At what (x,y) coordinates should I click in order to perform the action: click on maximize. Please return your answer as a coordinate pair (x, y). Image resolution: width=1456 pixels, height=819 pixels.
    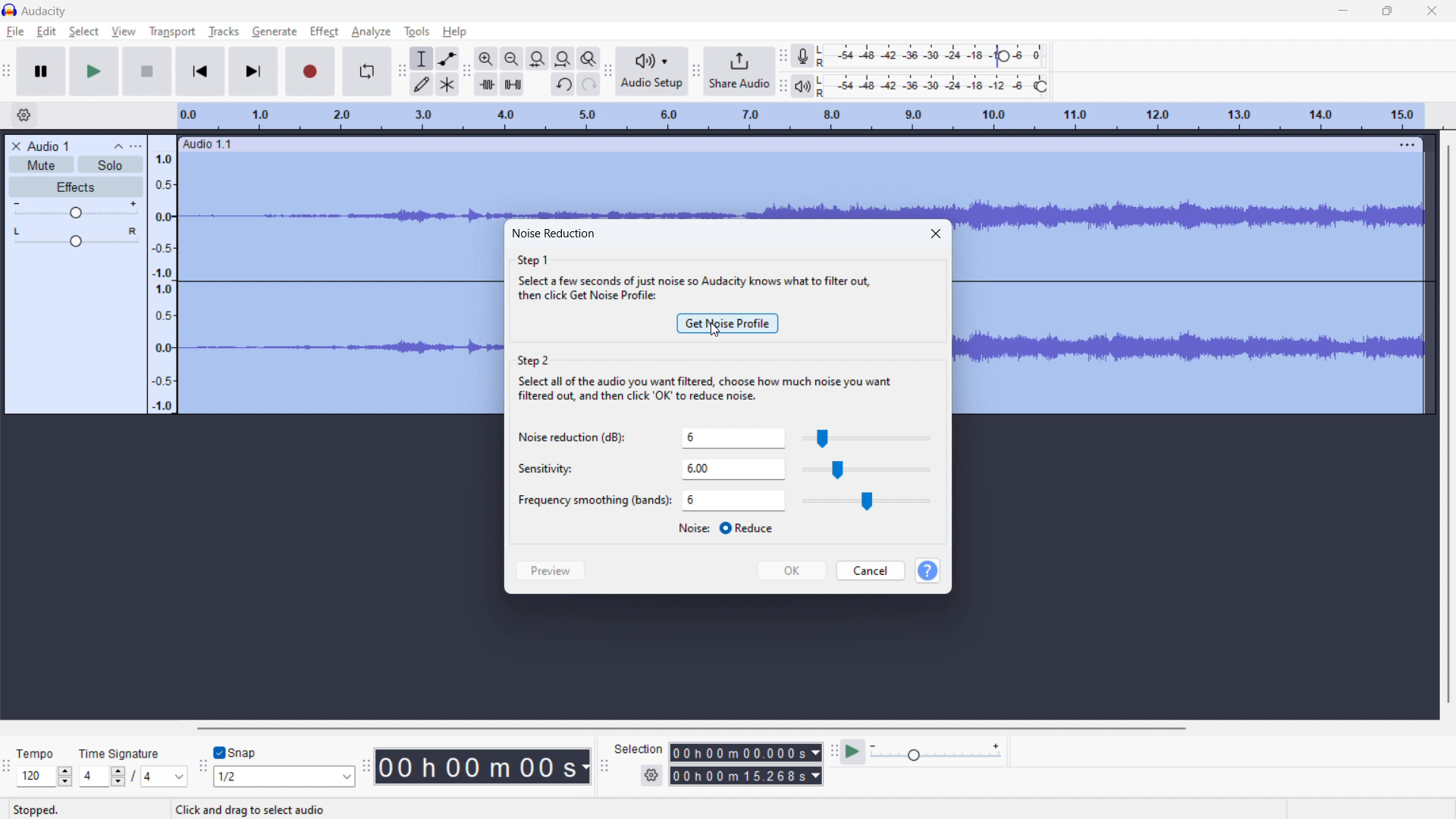
    Looking at the image, I should click on (1387, 12).